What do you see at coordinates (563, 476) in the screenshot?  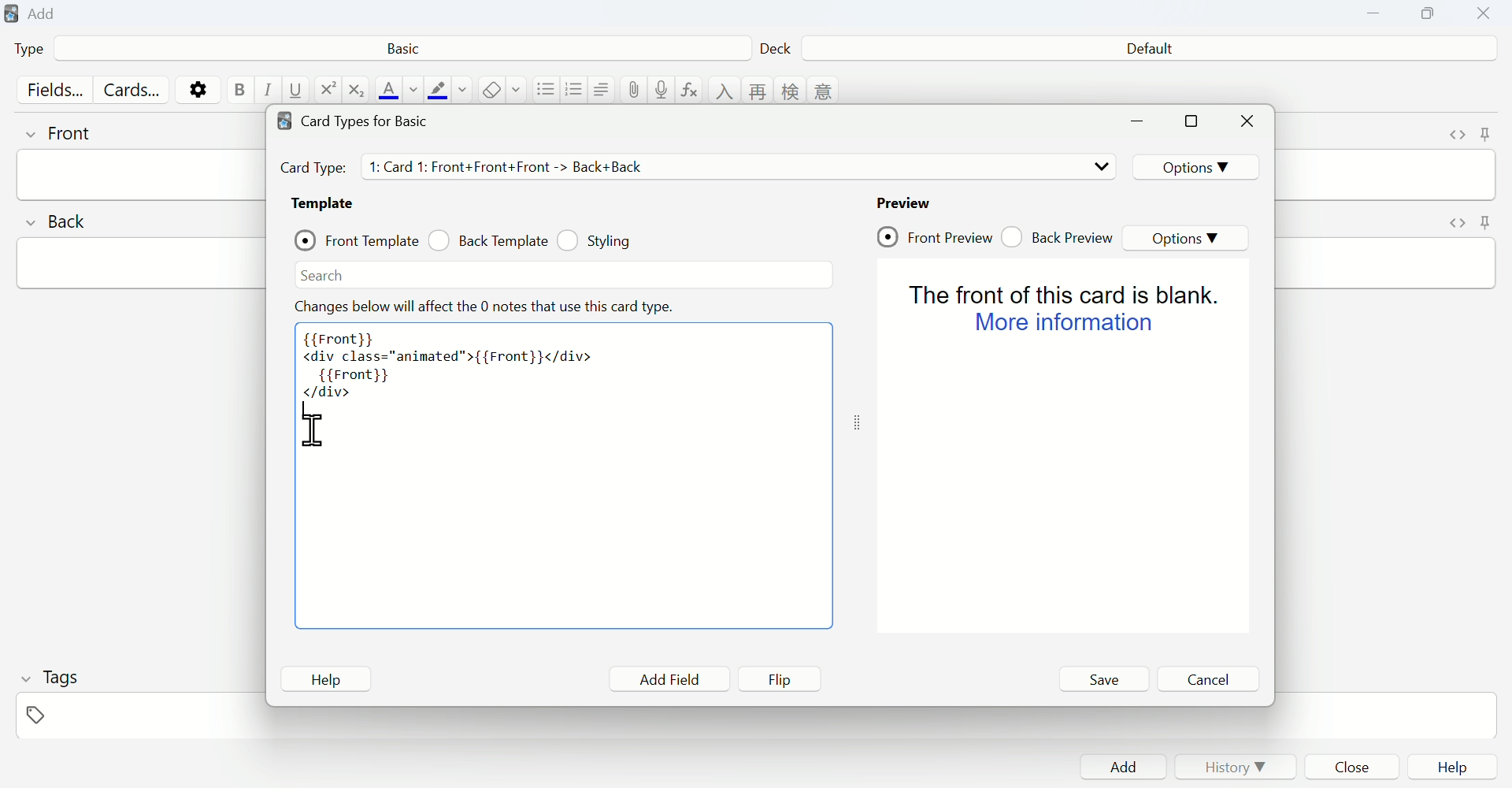 I see `Code area` at bounding box center [563, 476].